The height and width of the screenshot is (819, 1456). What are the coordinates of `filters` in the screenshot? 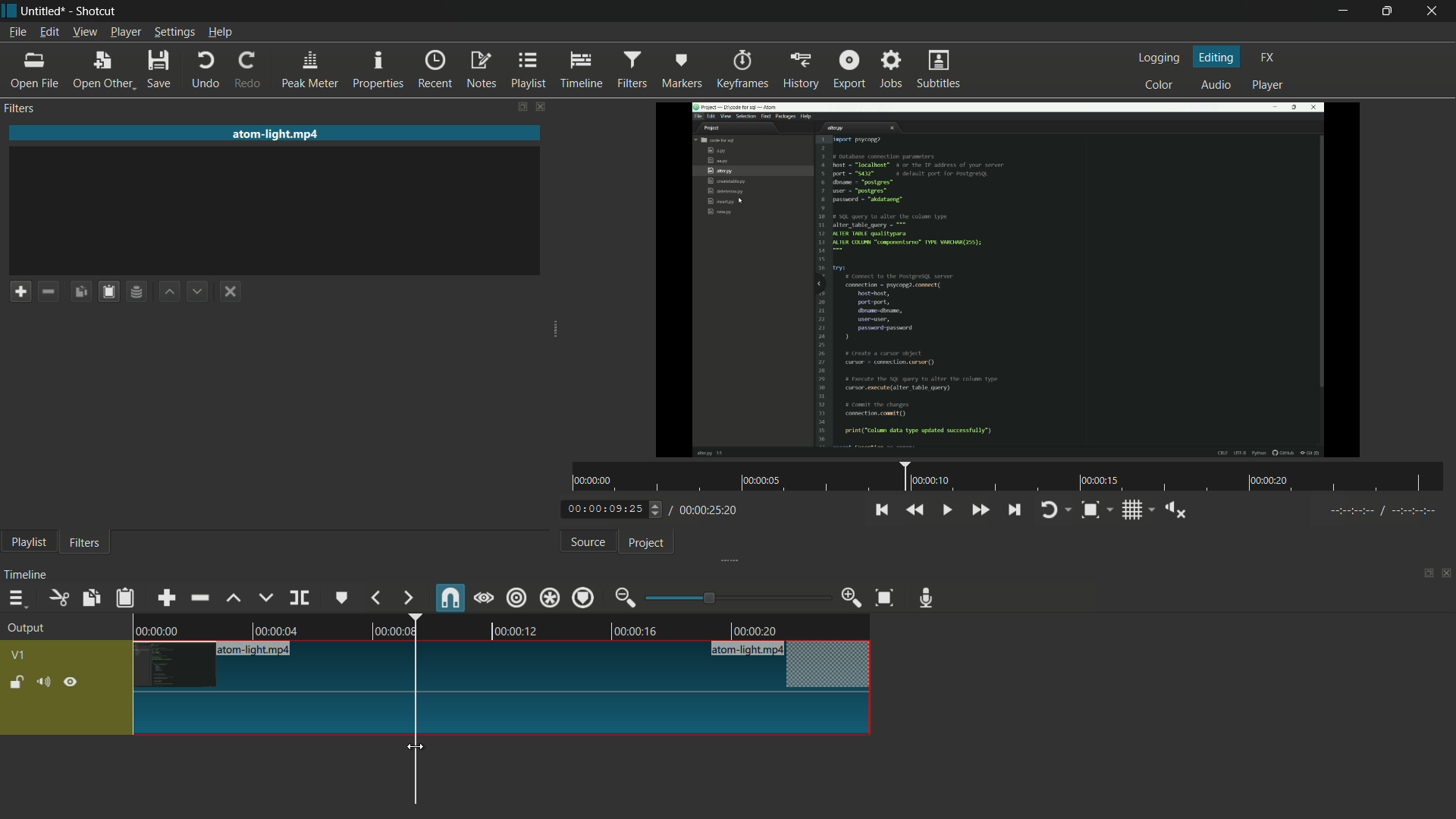 It's located at (85, 544).